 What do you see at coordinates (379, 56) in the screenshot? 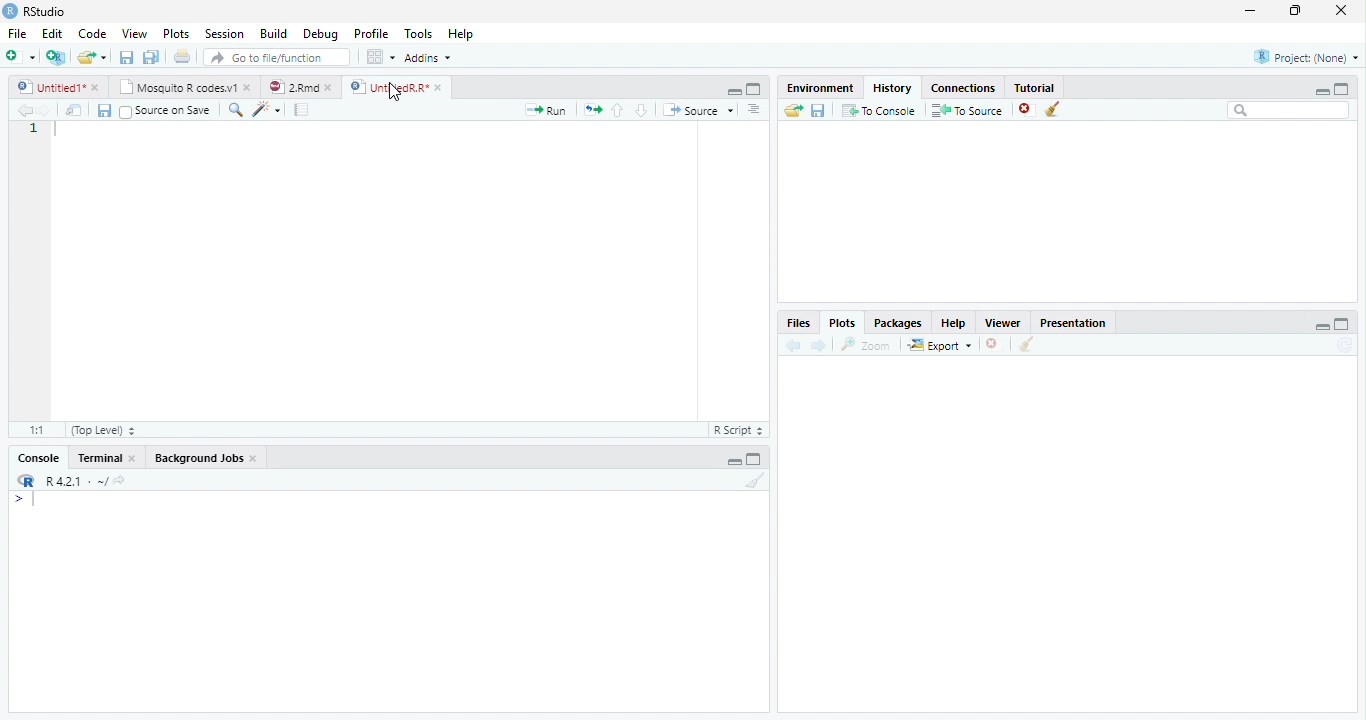
I see `Workspace panes` at bounding box center [379, 56].